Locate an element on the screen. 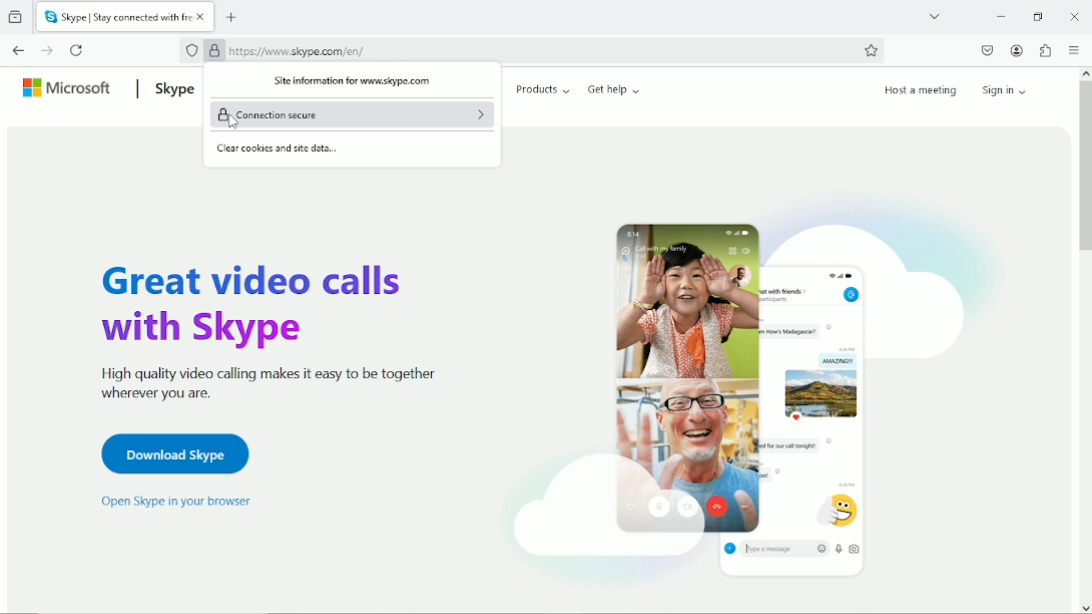  Cursor is located at coordinates (232, 122).